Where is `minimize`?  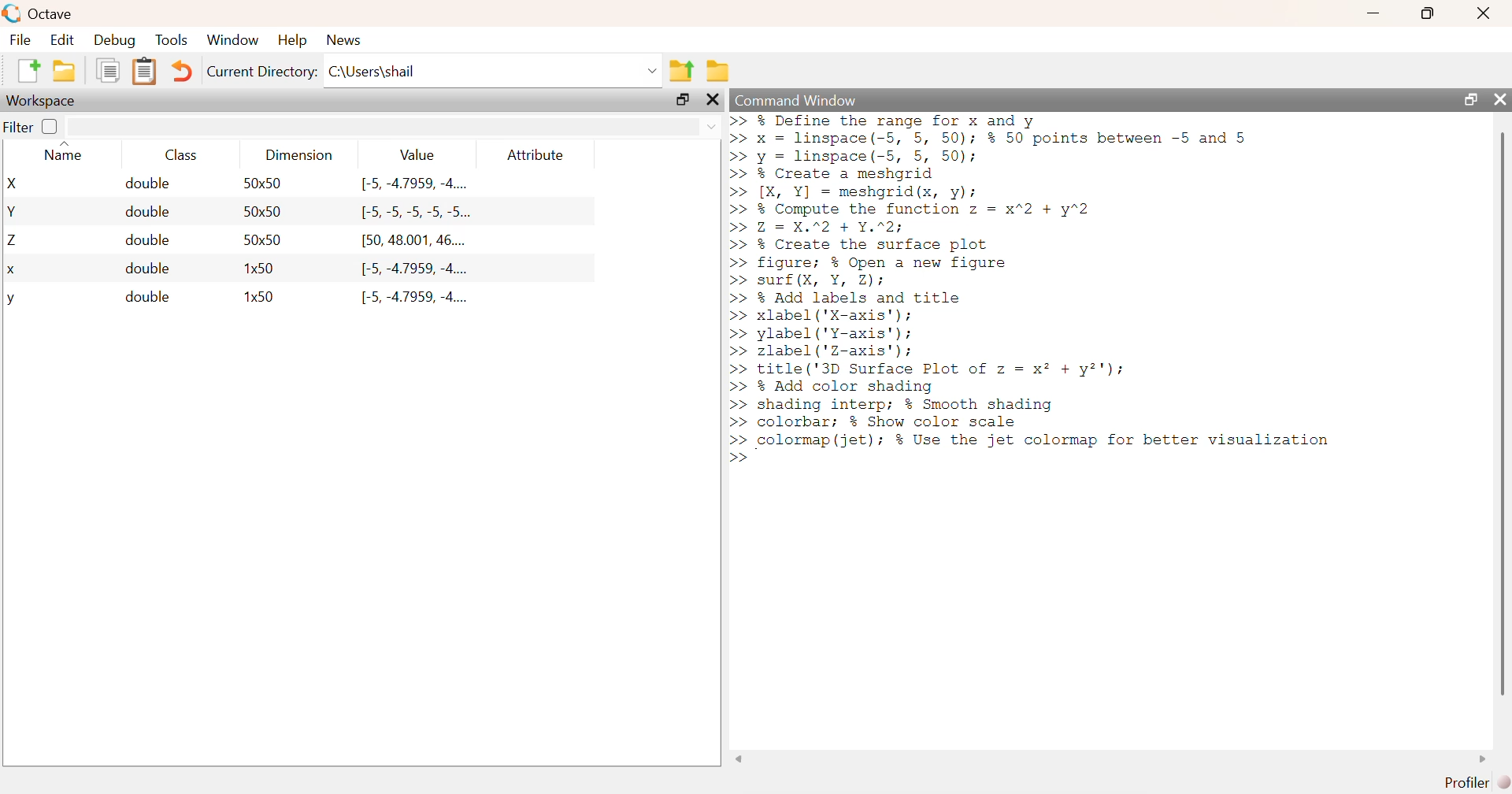
minimize is located at coordinates (1373, 13).